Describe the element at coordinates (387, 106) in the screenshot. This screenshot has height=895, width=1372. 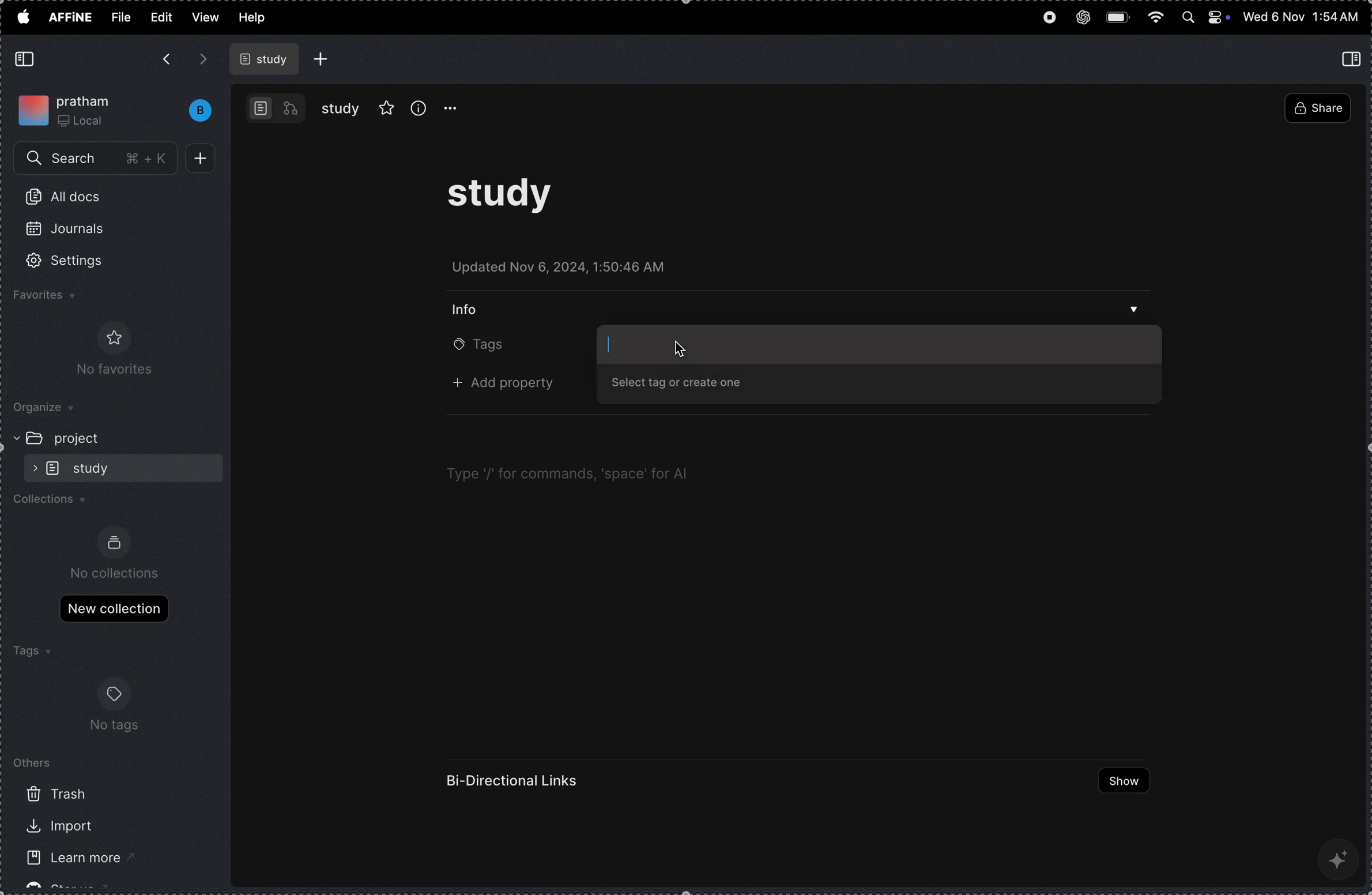
I see `favourites` at that location.